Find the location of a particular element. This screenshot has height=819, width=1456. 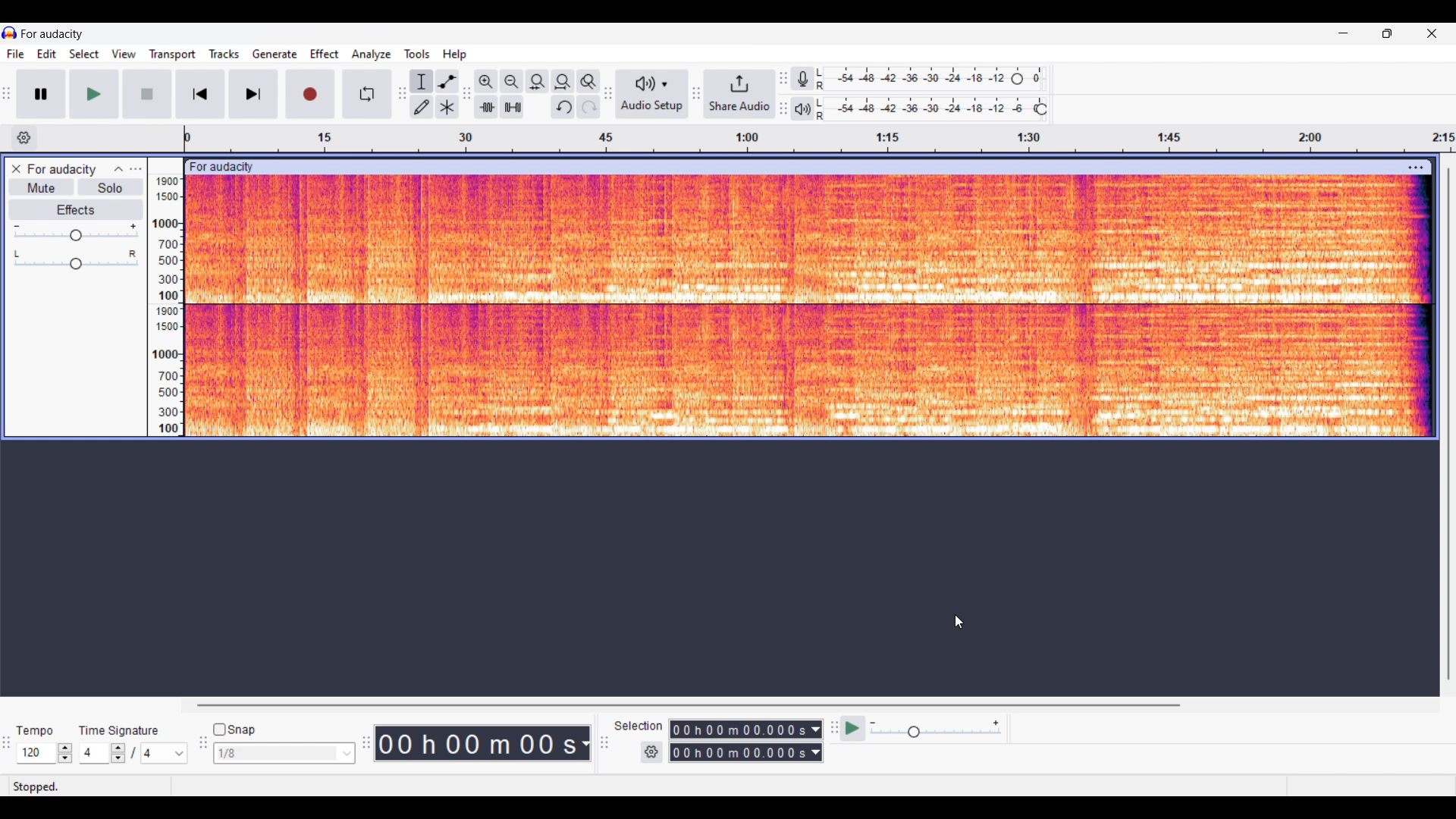

Open menu is located at coordinates (136, 169).